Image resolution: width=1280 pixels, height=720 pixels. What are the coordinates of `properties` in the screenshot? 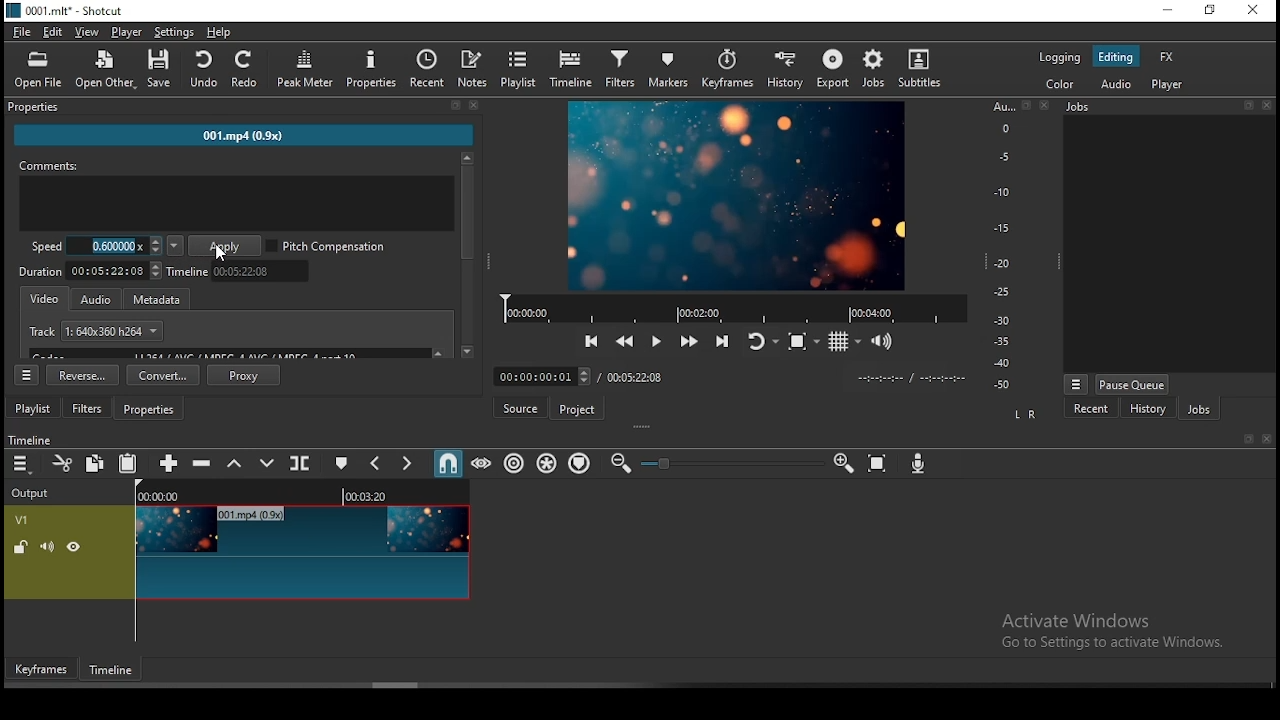 It's located at (149, 408).